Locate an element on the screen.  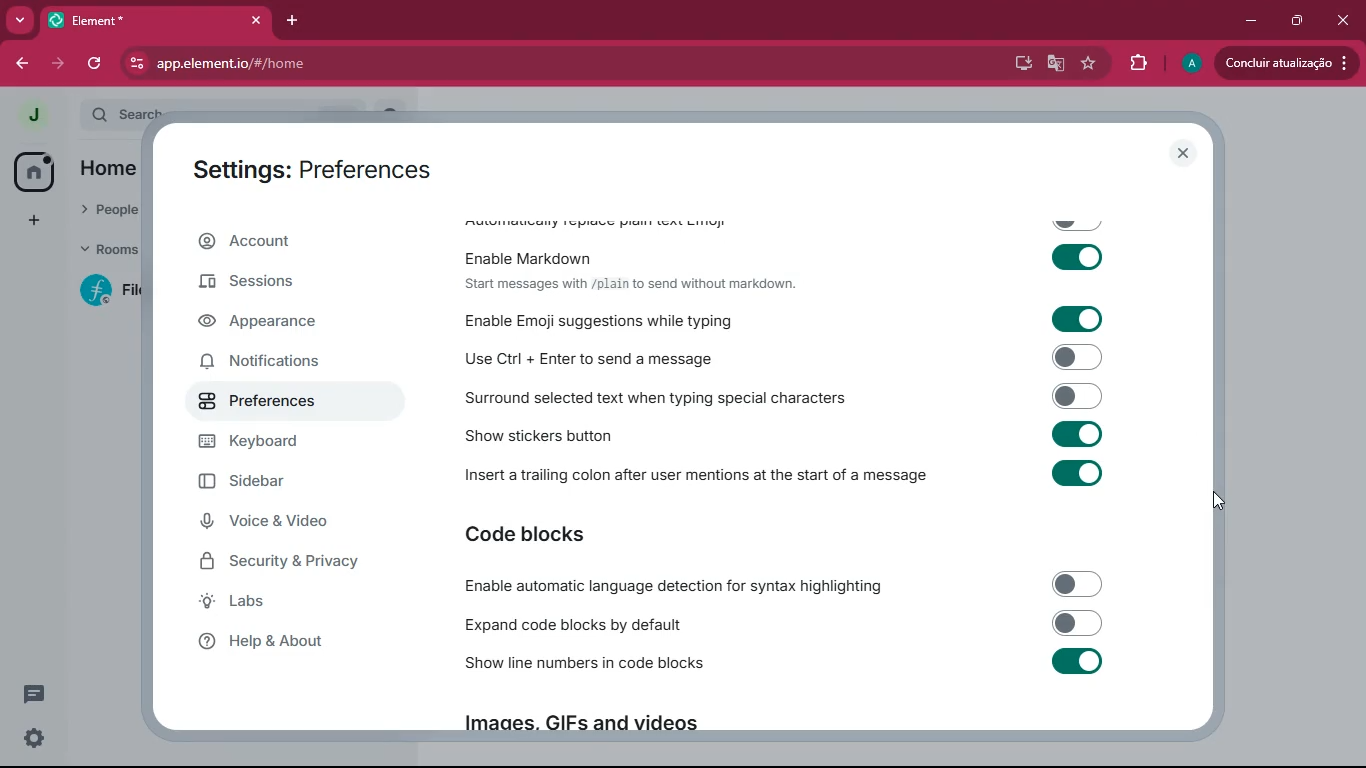
element is located at coordinates (159, 20).